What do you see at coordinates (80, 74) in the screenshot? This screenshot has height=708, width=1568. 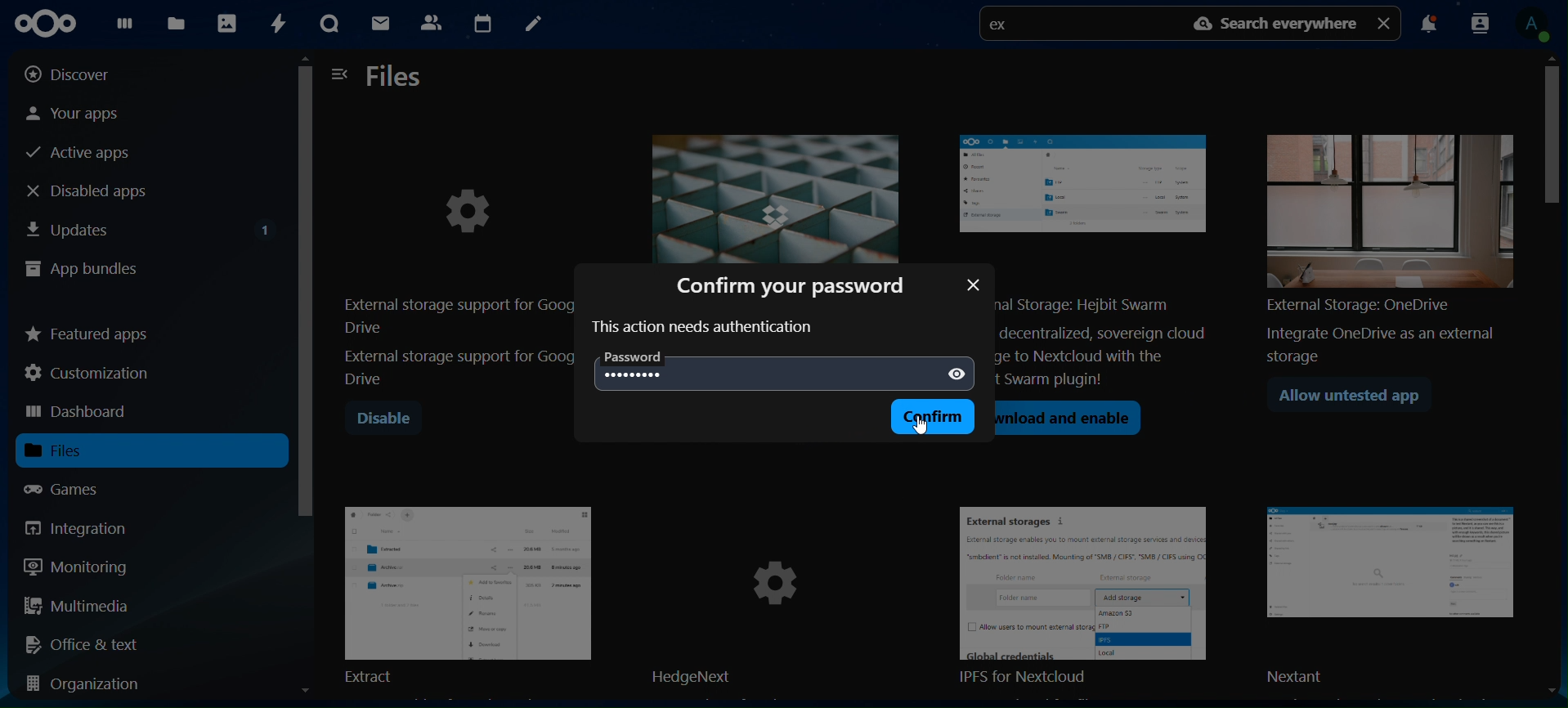 I see `discover` at bounding box center [80, 74].